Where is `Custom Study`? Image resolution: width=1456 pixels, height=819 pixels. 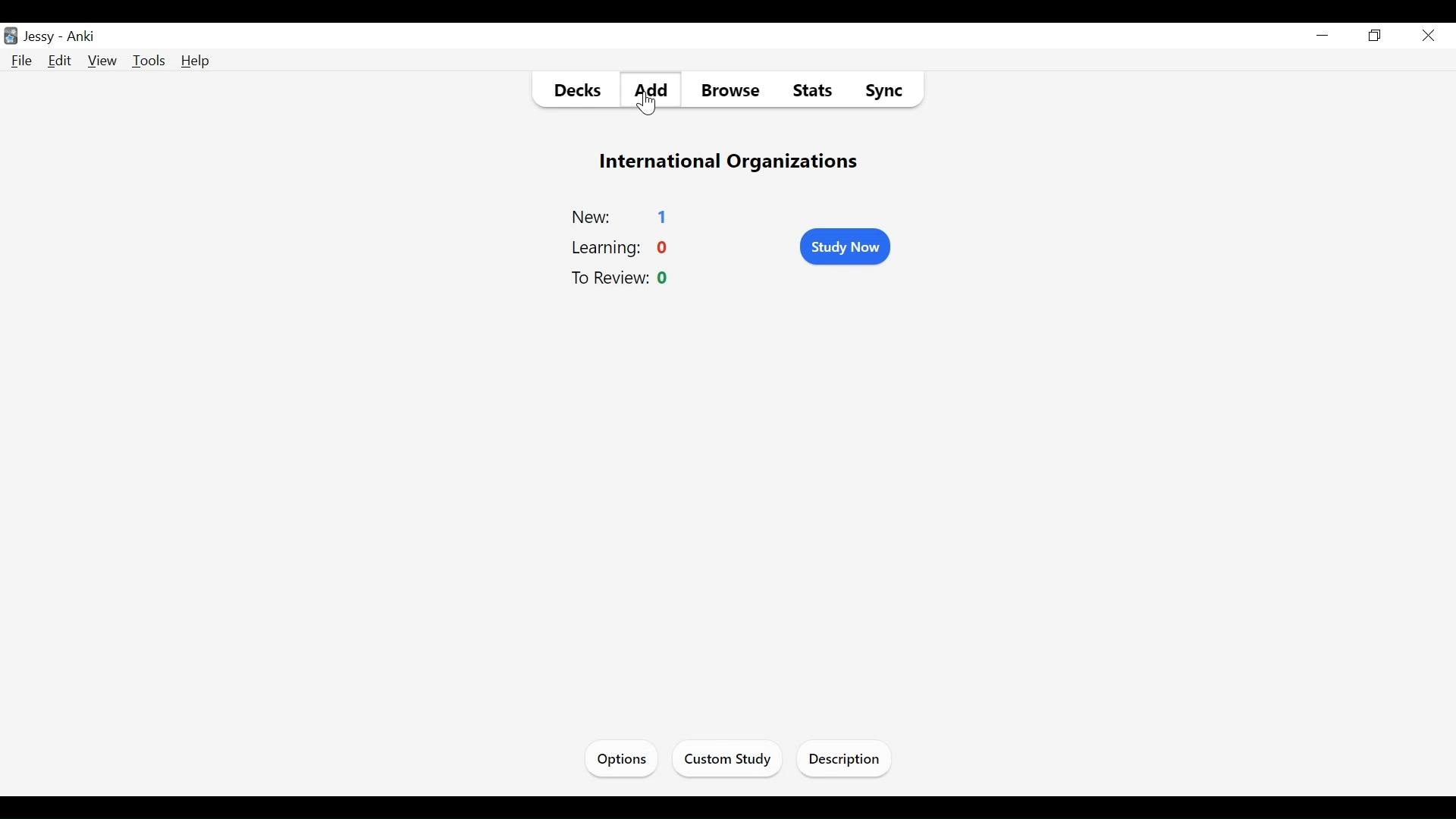
Custom Study is located at coordinates (726, 761).